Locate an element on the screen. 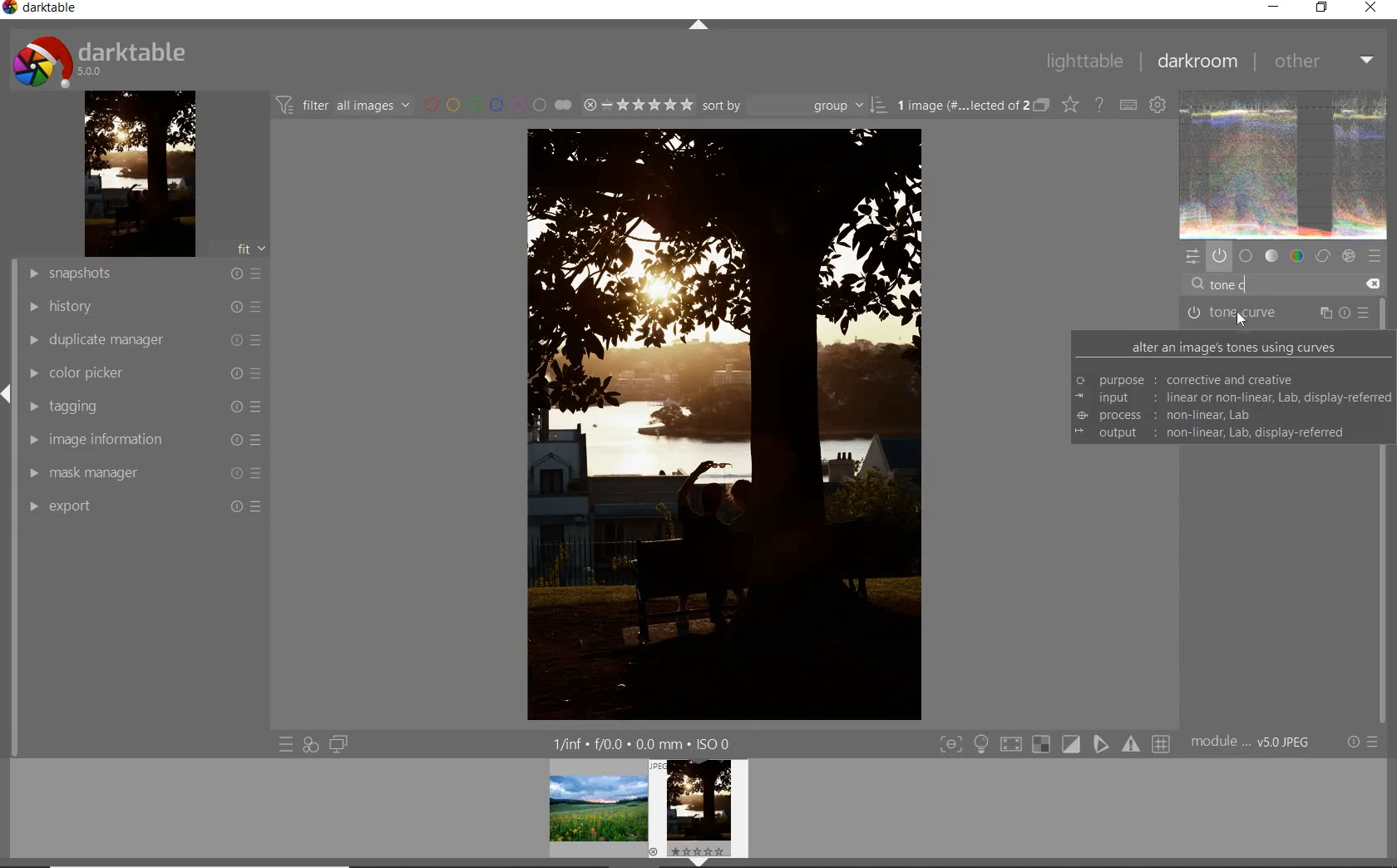  lighttable is located at coordinates (1082, 62).